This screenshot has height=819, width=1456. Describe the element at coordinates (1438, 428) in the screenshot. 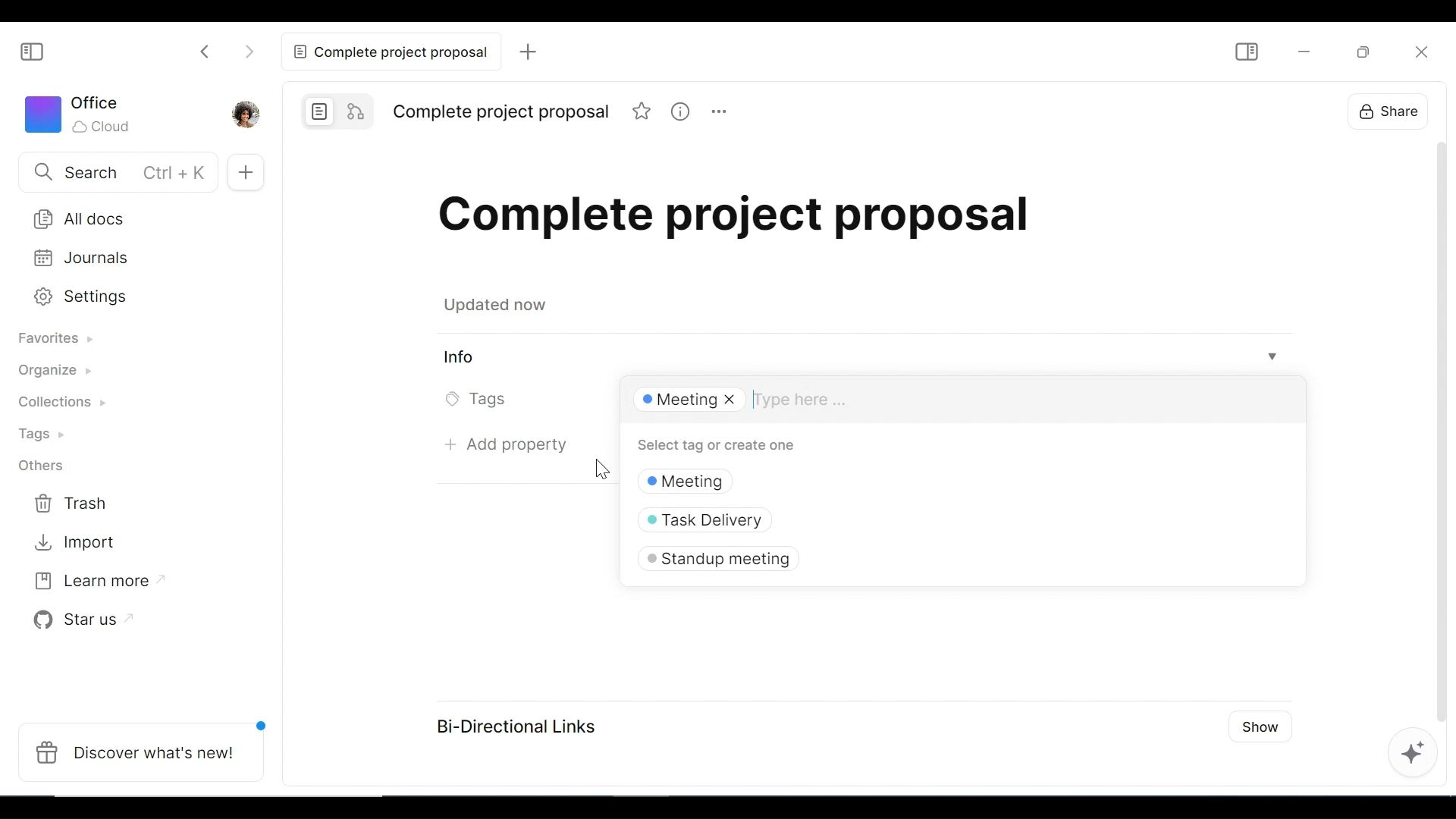

I see `Scrollbar` at that location.